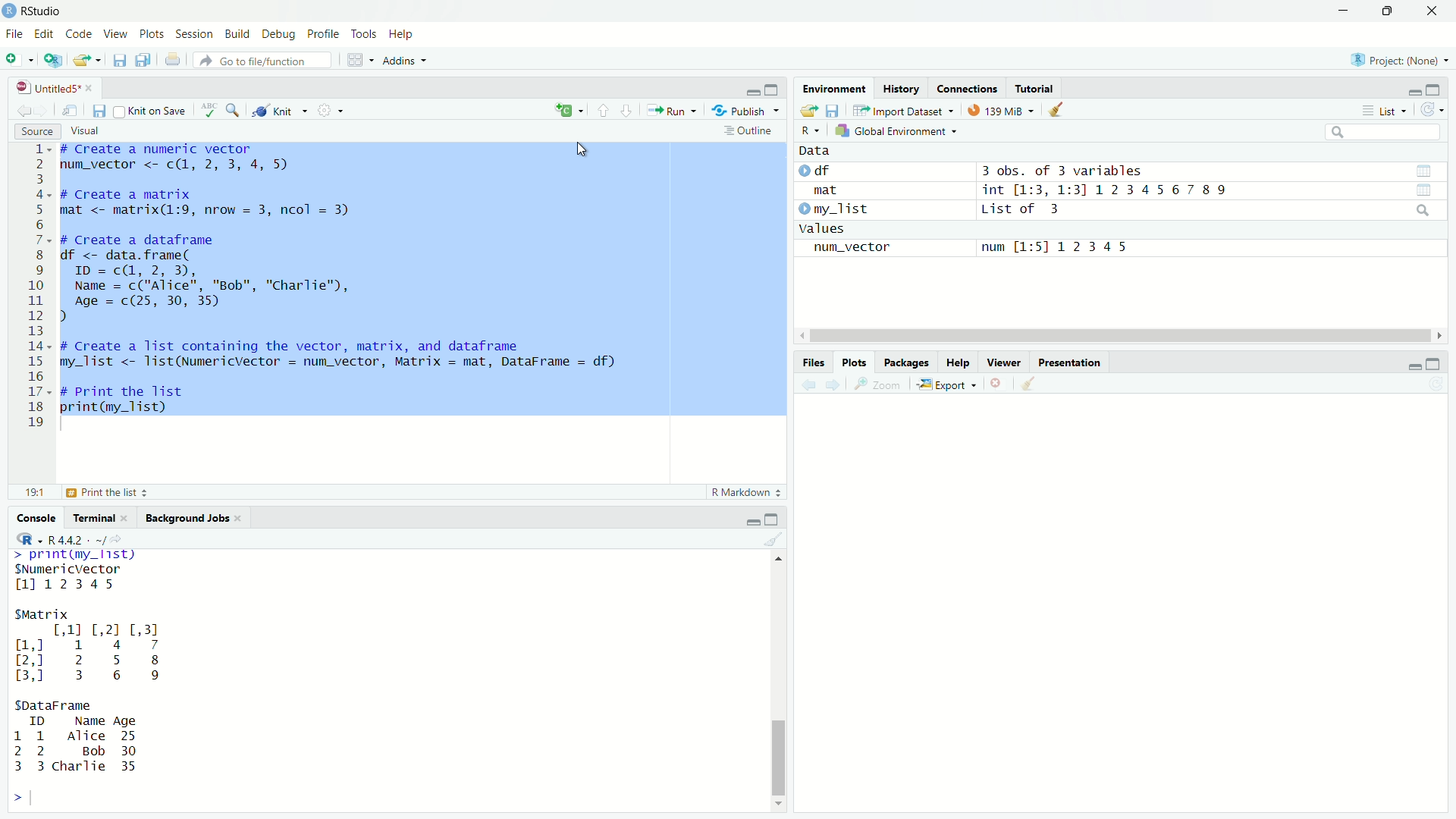 This screenshot has height=819, width=1456. I want to click on Edit, so click(44, 34).